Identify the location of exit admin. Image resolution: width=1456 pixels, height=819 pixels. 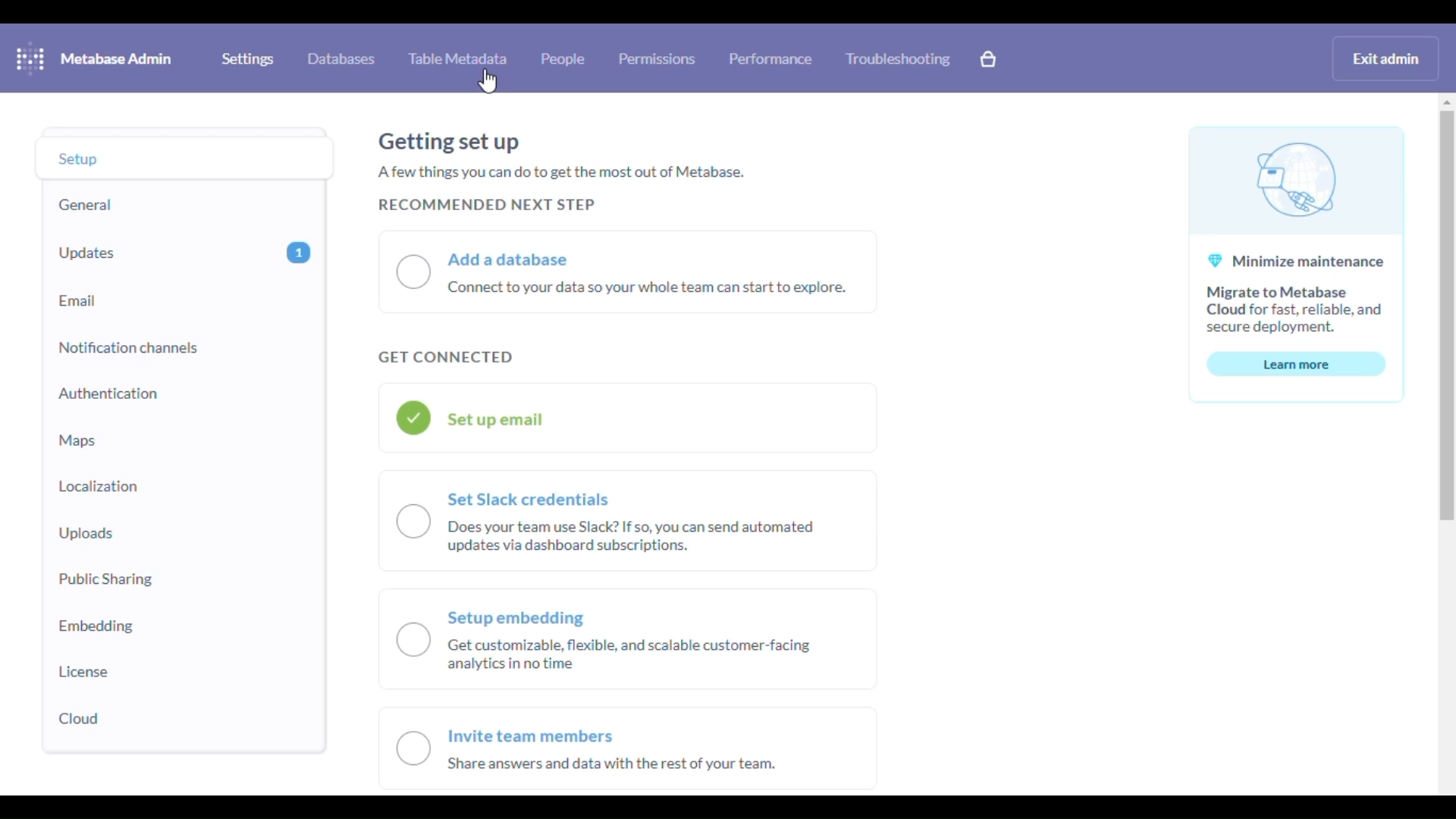
(1386, 58).